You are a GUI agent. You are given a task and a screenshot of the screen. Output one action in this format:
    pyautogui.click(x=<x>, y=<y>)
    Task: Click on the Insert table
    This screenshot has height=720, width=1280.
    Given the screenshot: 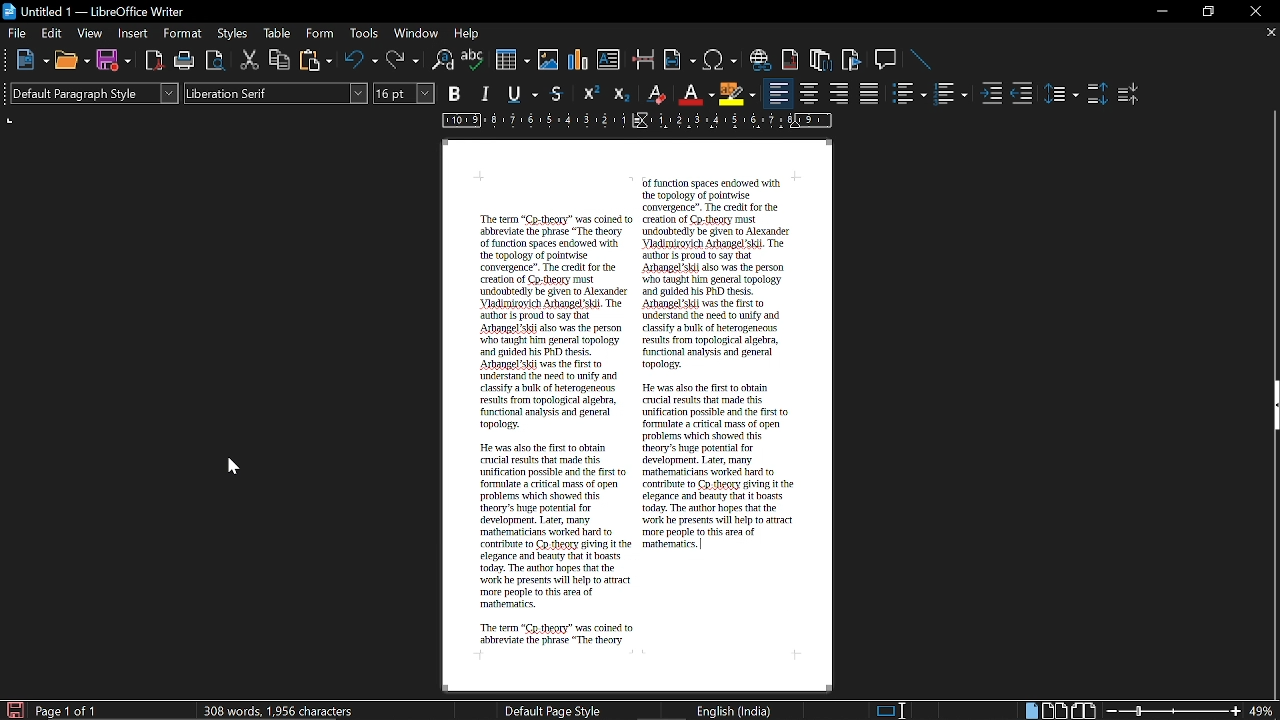 What is the action you would take?
    pyautogui.click(x=512, y=61)
    